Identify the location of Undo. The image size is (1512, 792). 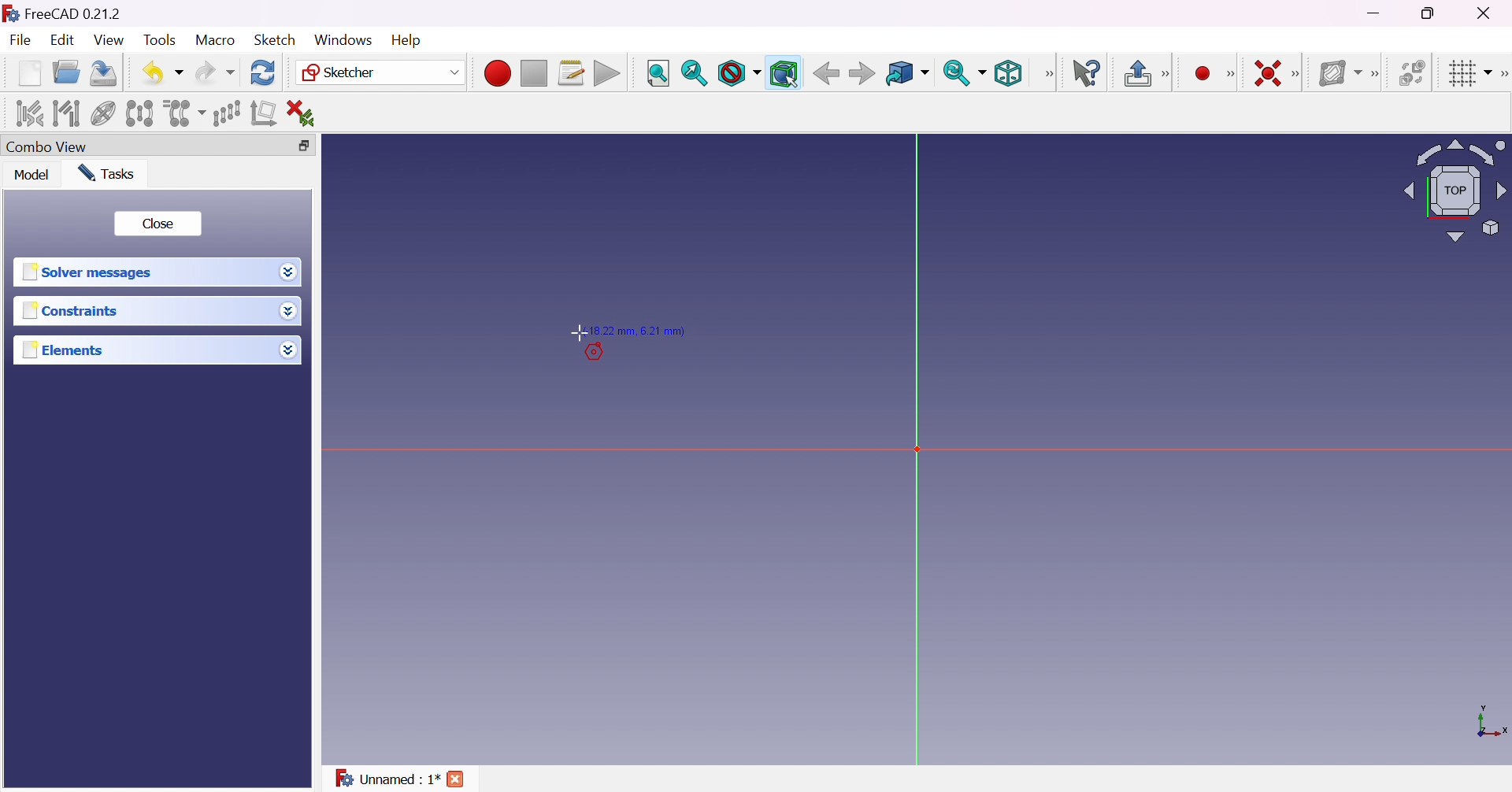
(162, 74).